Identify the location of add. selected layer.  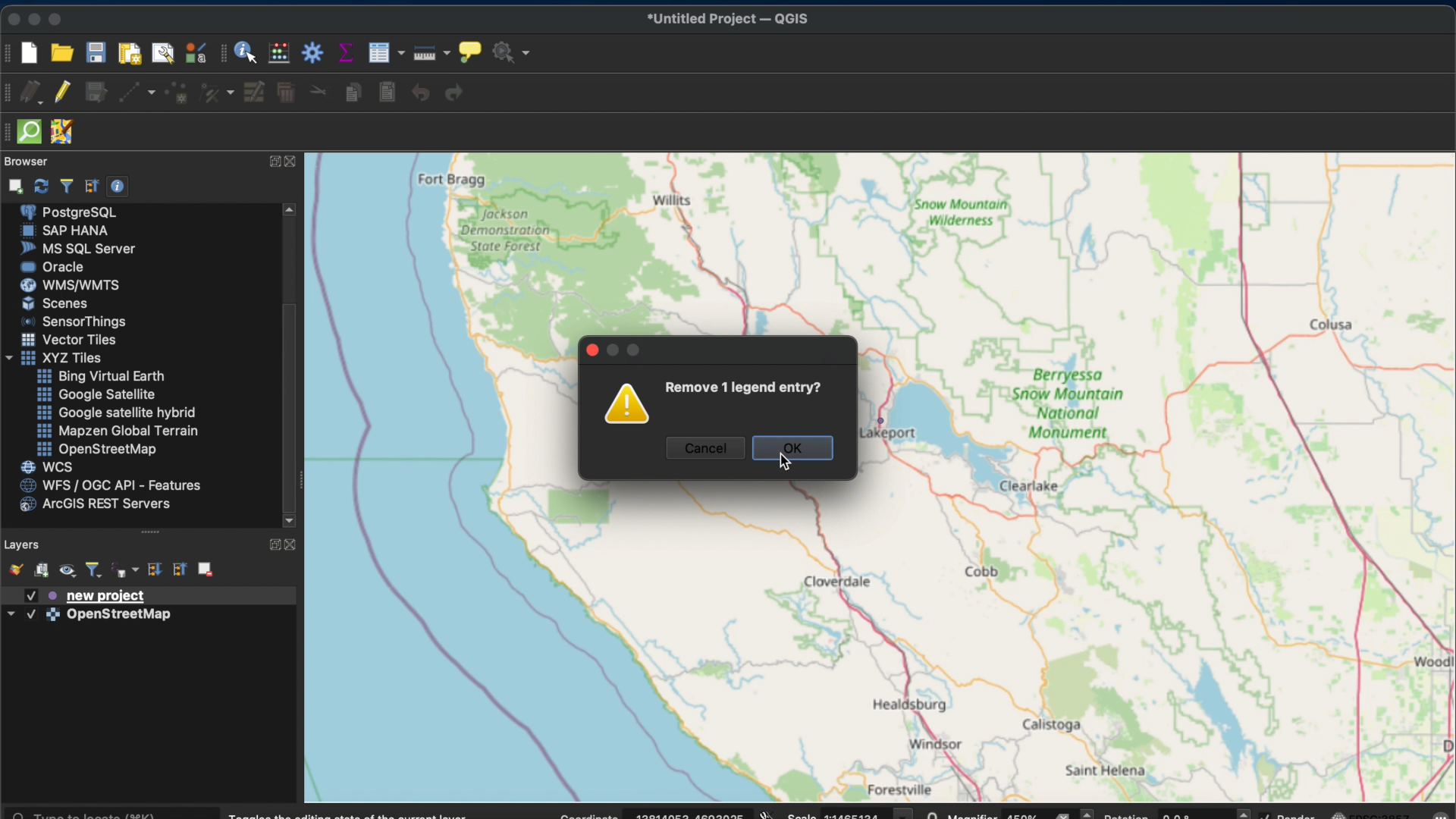
(13, 184).